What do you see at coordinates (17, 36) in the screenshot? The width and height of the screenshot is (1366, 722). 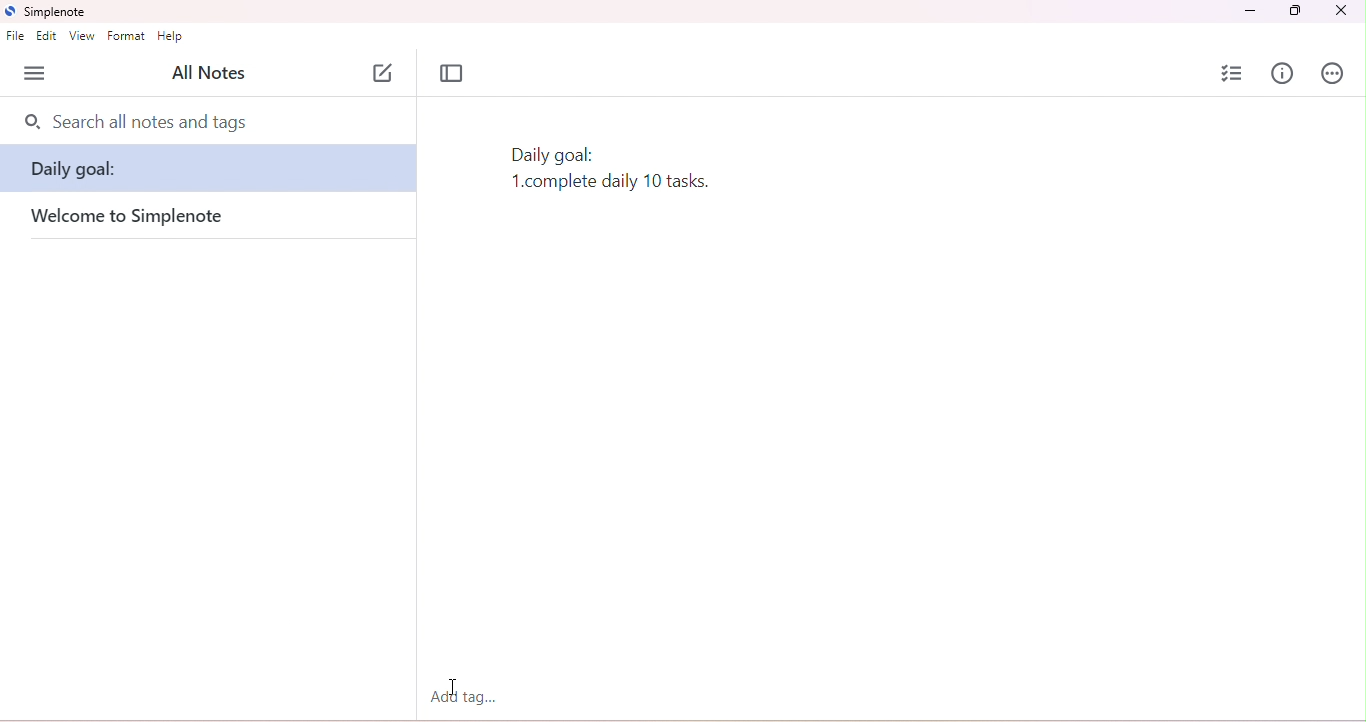 I see `file` at bounding box center [17, 36].